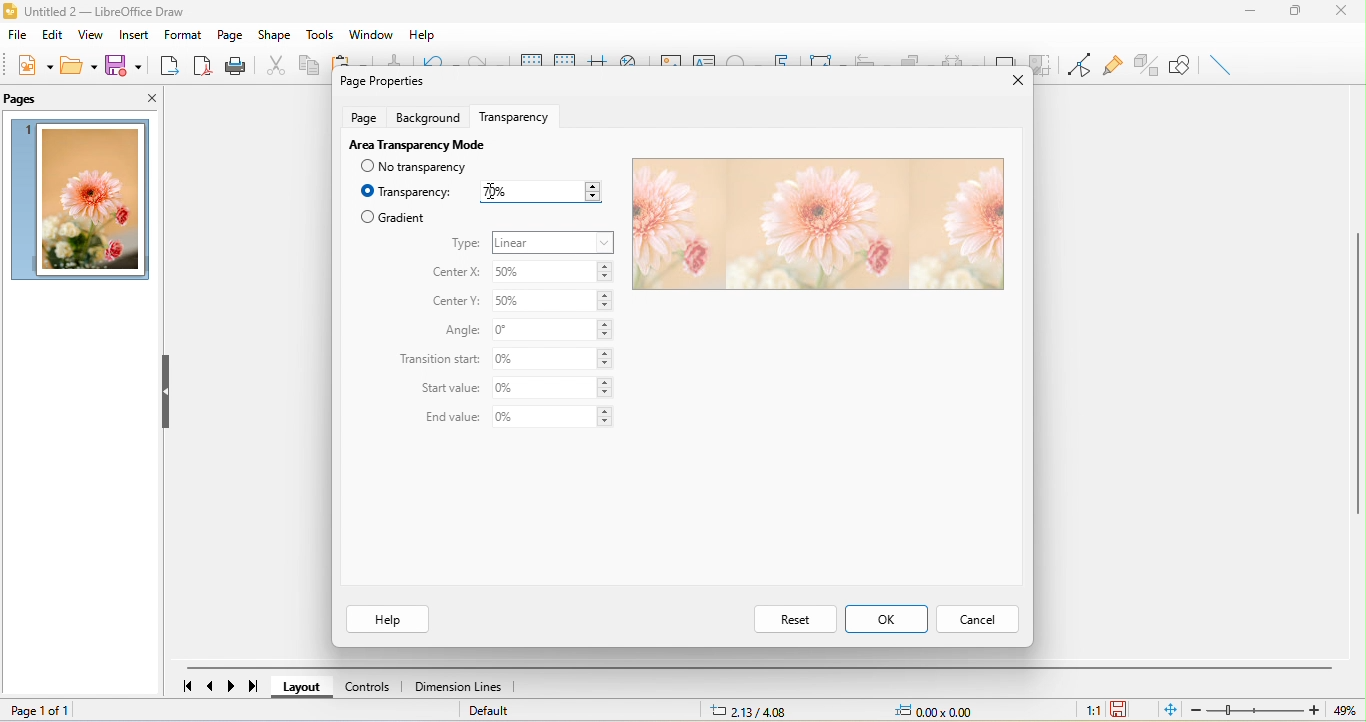  Describe the element at coordinates (363, 116) in the screenshot. I see `page` at that location.